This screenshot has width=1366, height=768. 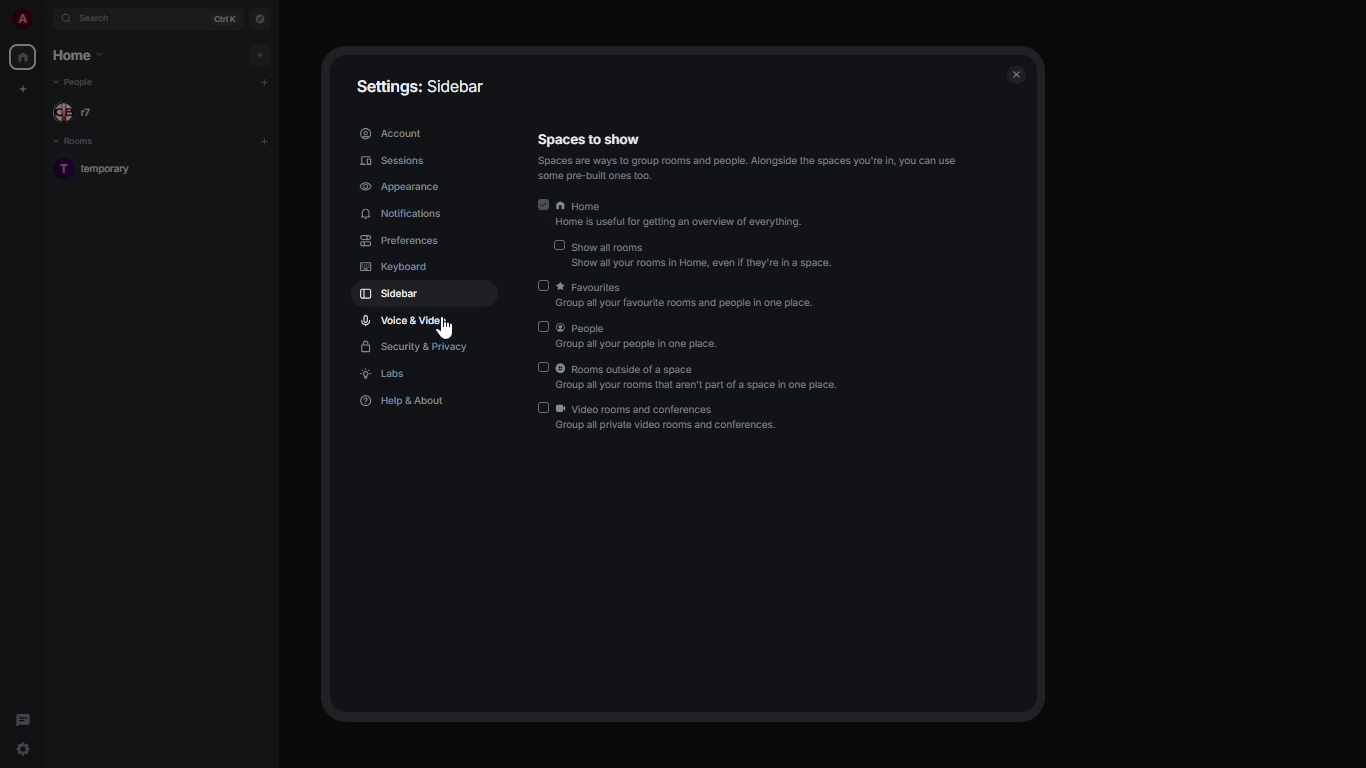 I want to click on settings: sidebar, so click(x=421, y=85).